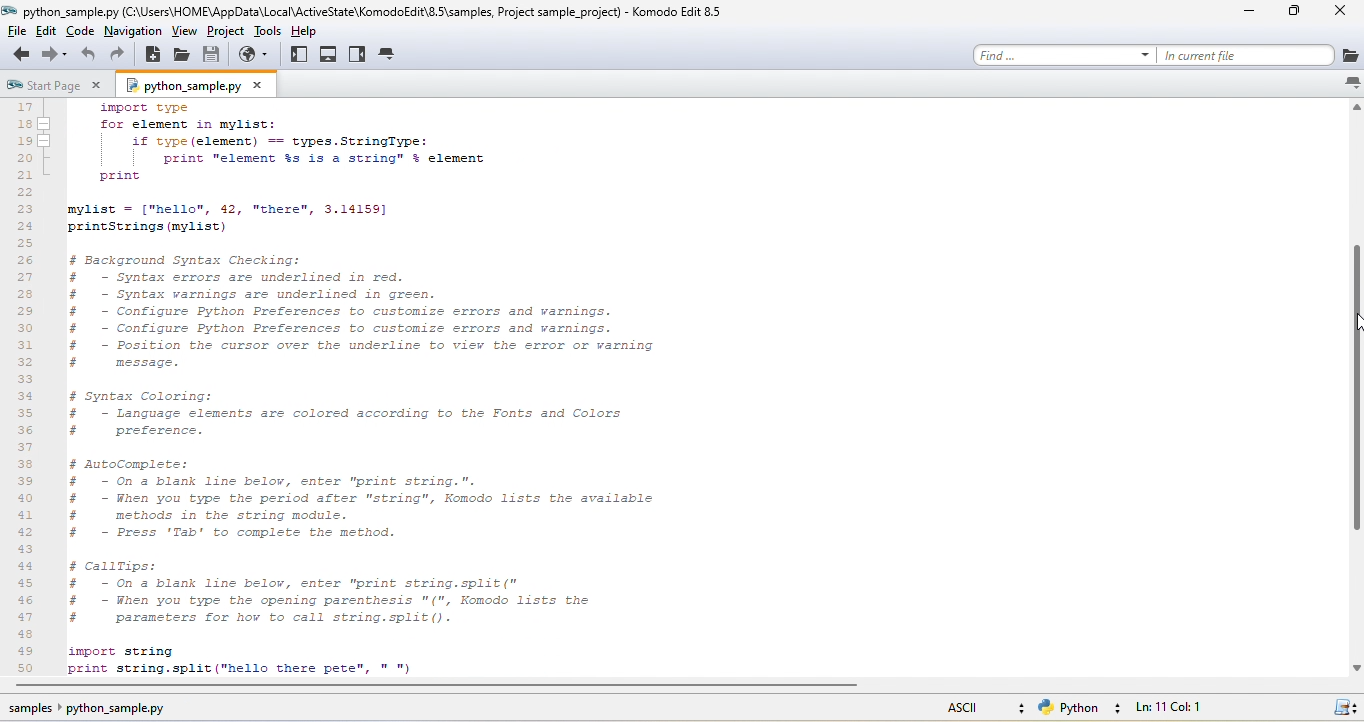 The image size is (1364, 722). I want to click on scroll up, so click(1355, 110).